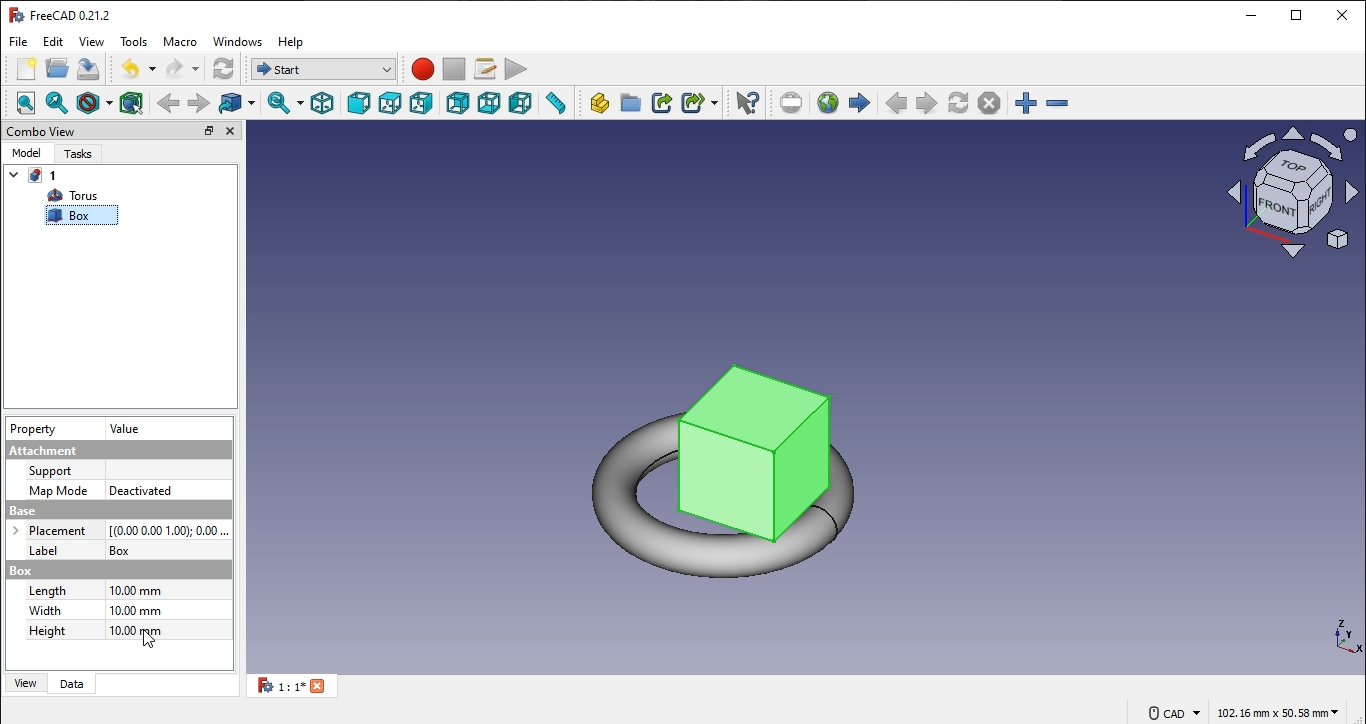  Describe the element at coordinates (55, 42) in the screenshot. I see `edit` at that location.